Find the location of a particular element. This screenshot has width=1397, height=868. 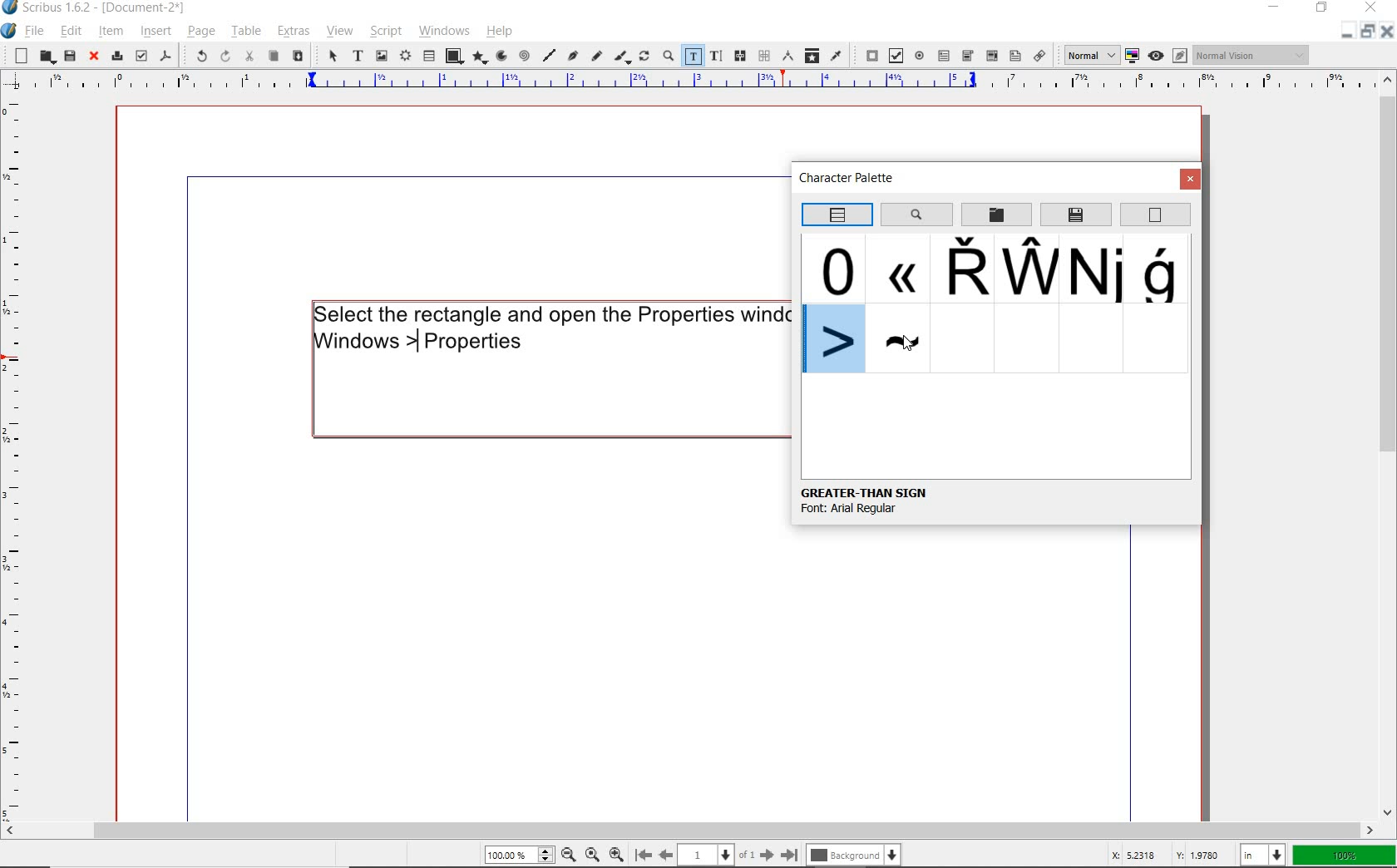

close is located at coordinates (1387, 35).